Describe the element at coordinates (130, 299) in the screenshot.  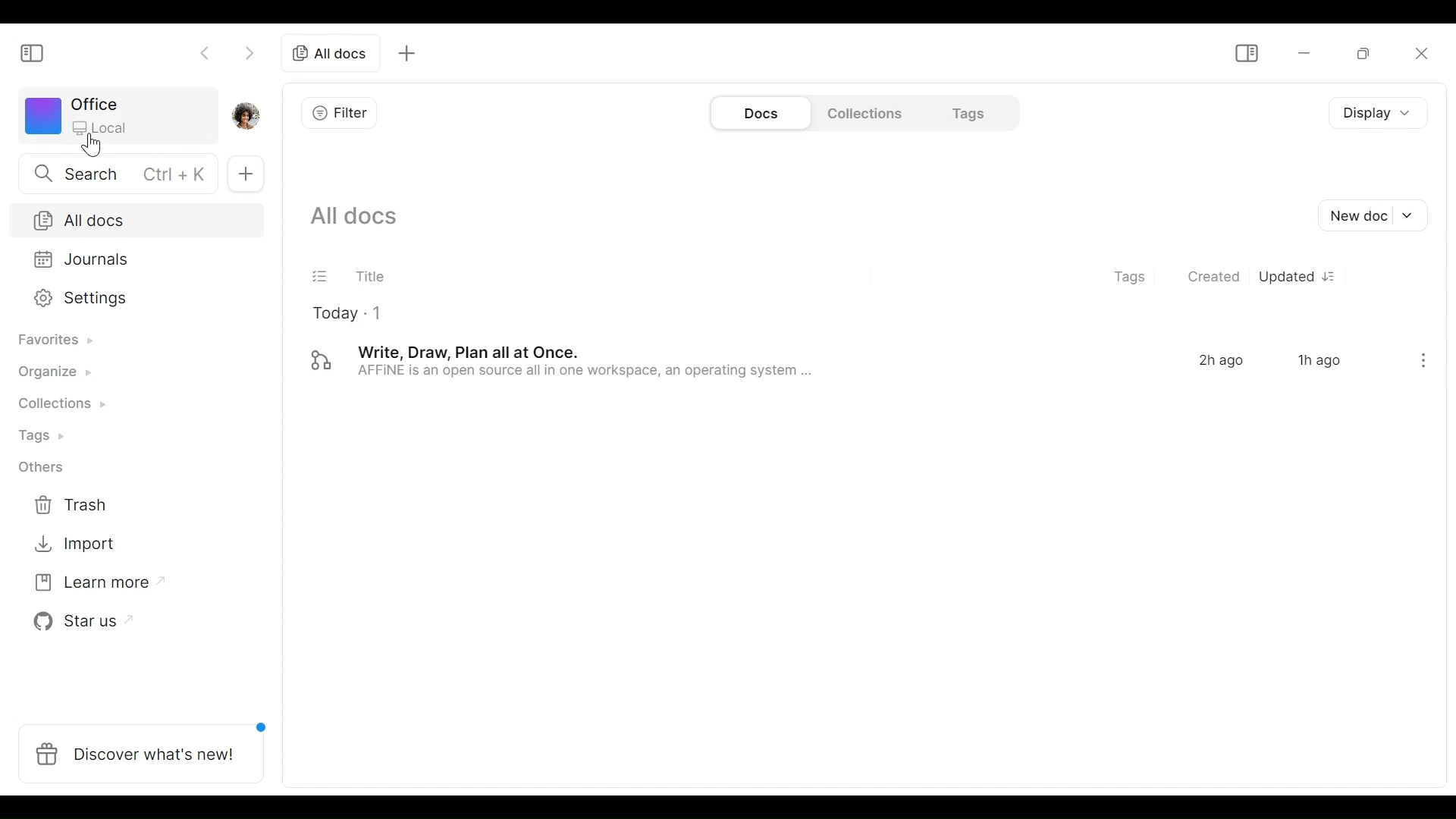
I see `Settings` at that location.